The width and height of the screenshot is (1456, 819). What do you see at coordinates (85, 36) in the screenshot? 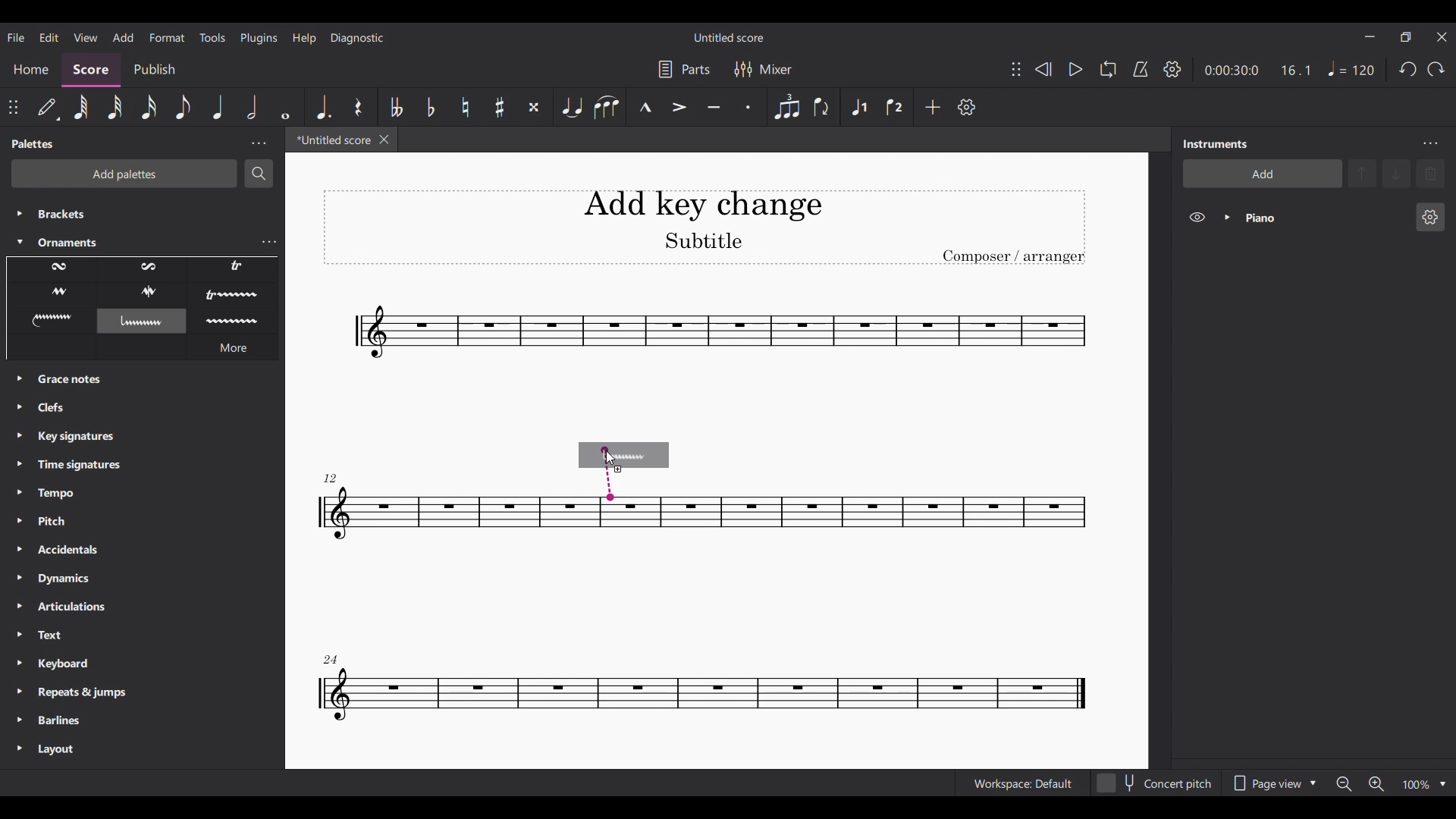
I see `View menu` at bounding box center [85, 36].